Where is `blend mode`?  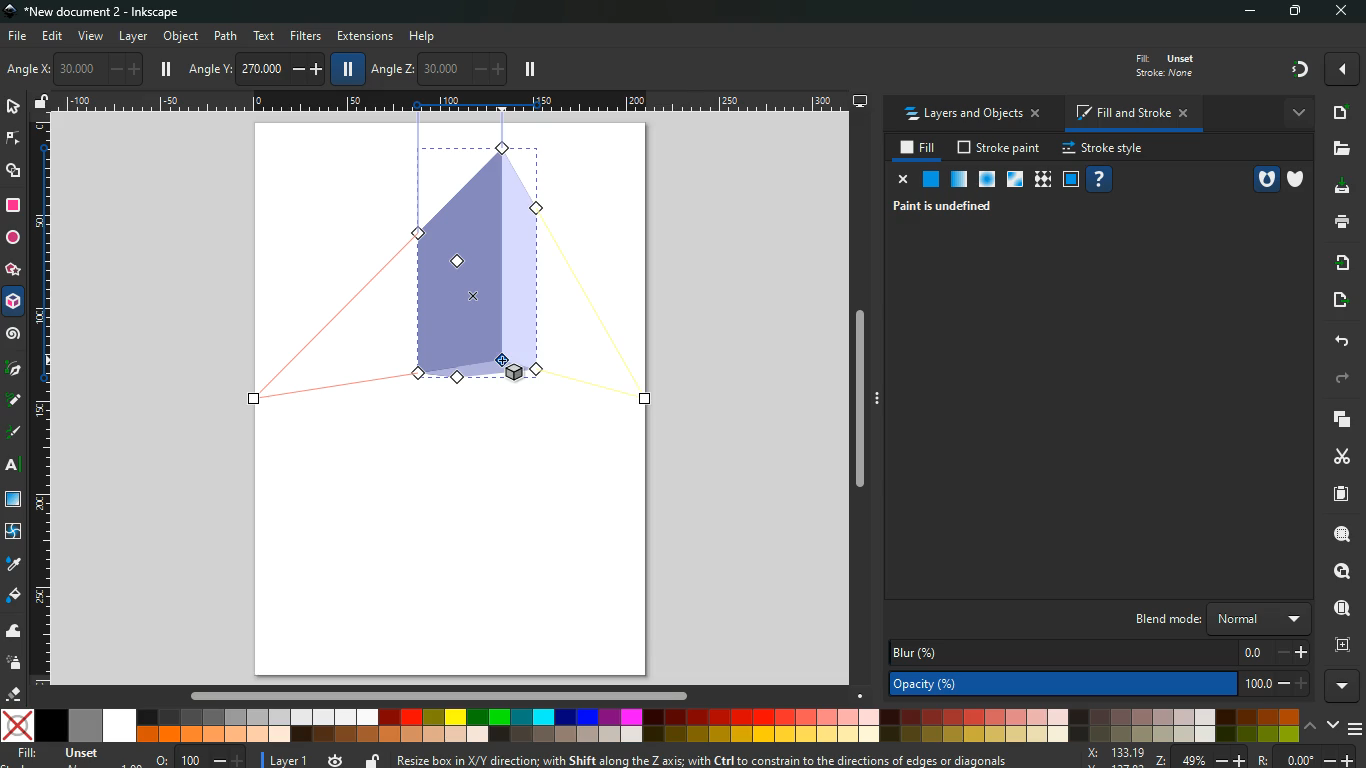
blend mode is located at coordinates (1211, 619).